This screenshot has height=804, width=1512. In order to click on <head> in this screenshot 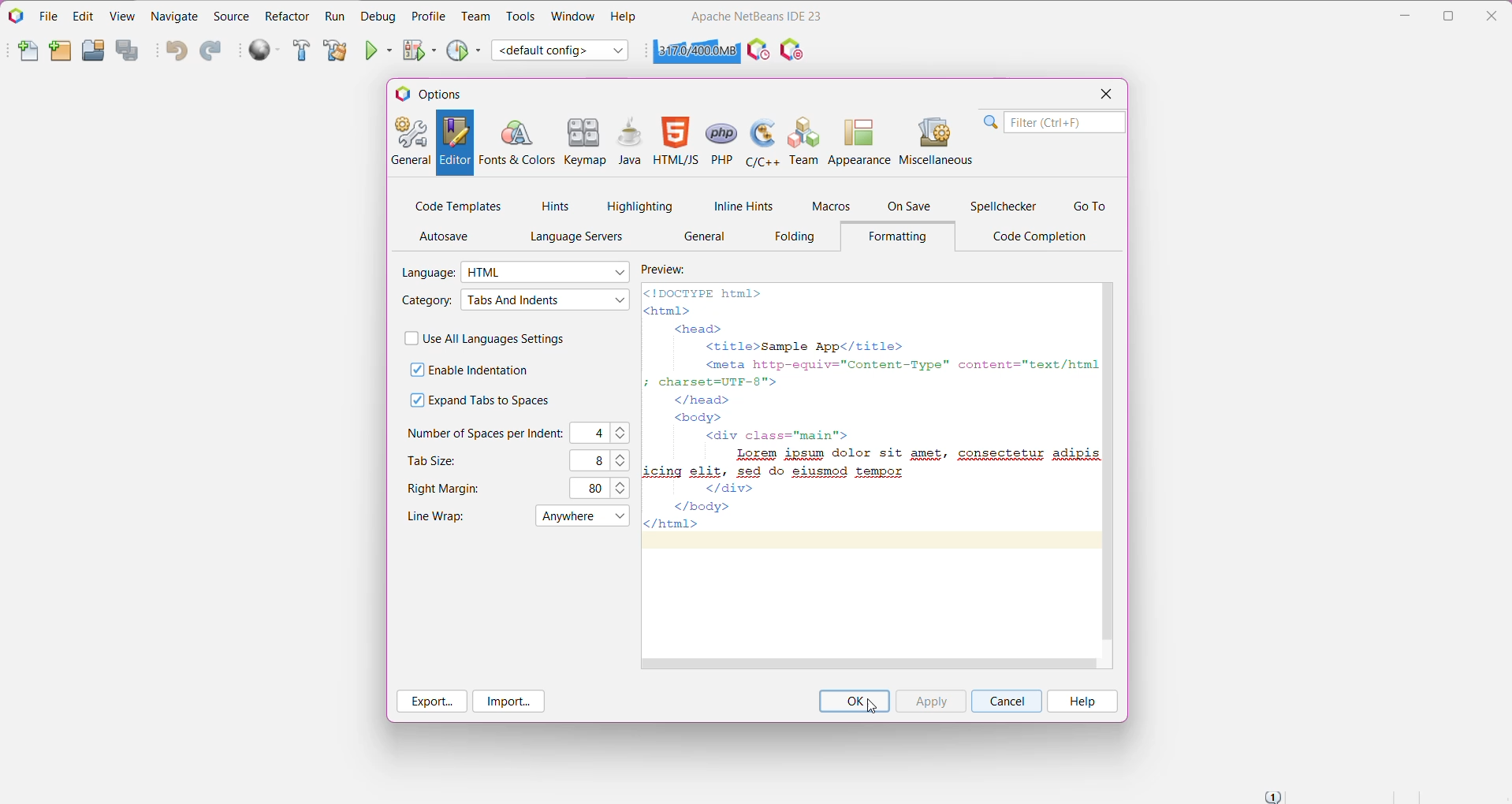, I will do `click(696, 329)`.